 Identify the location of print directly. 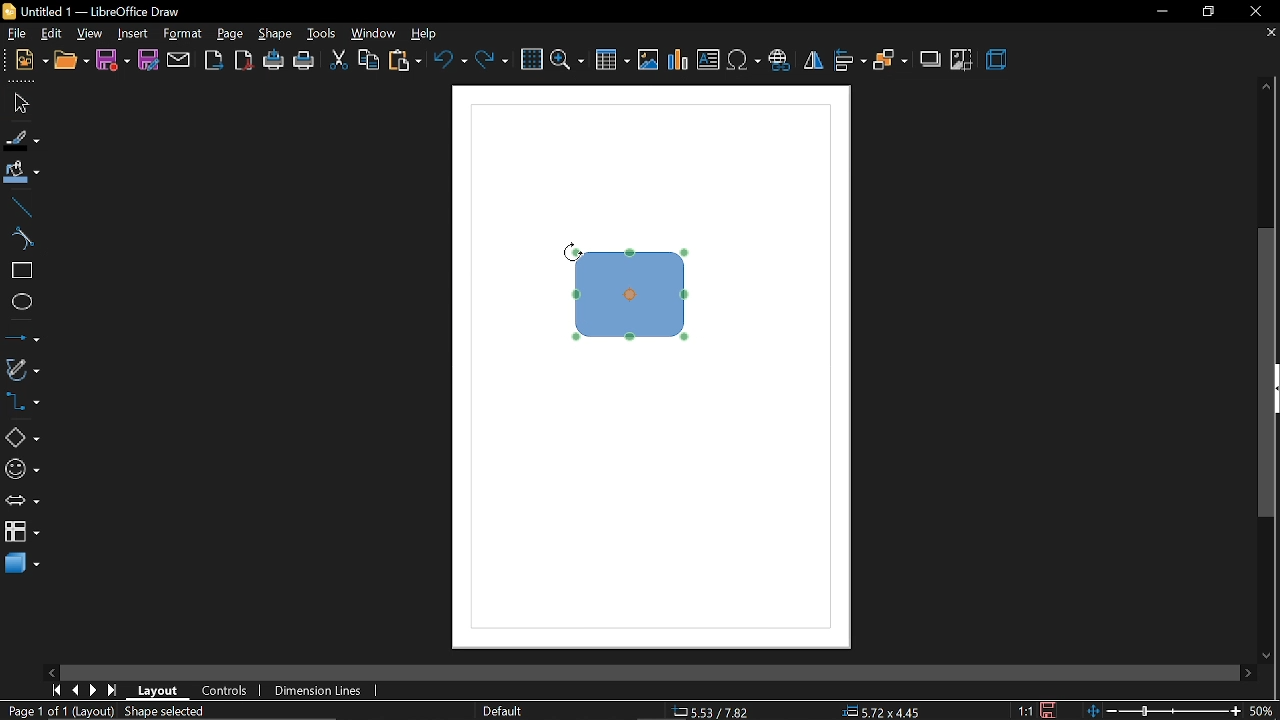
(272, 59).